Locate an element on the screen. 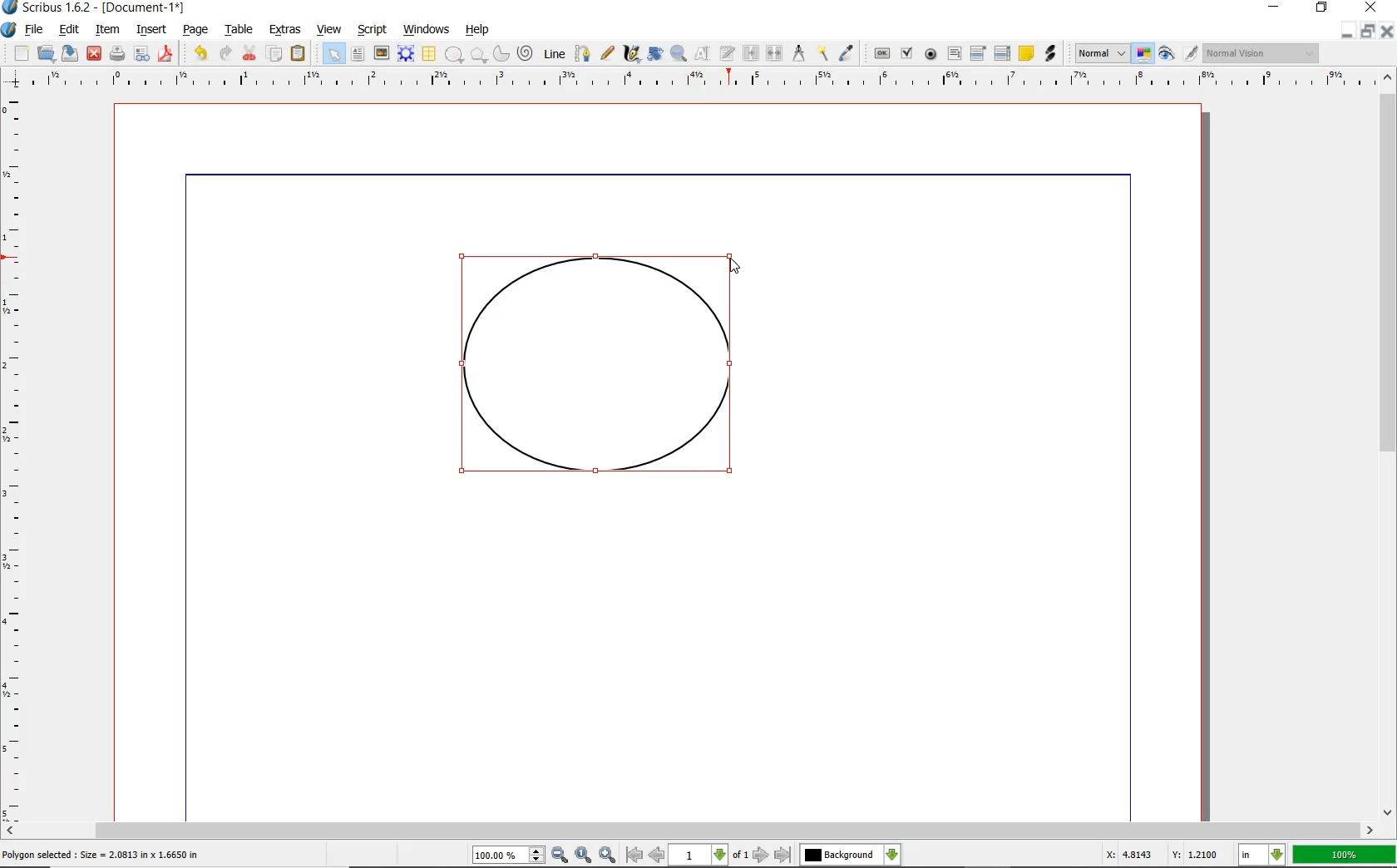  IMAGE is located at coordinates (381, 52).